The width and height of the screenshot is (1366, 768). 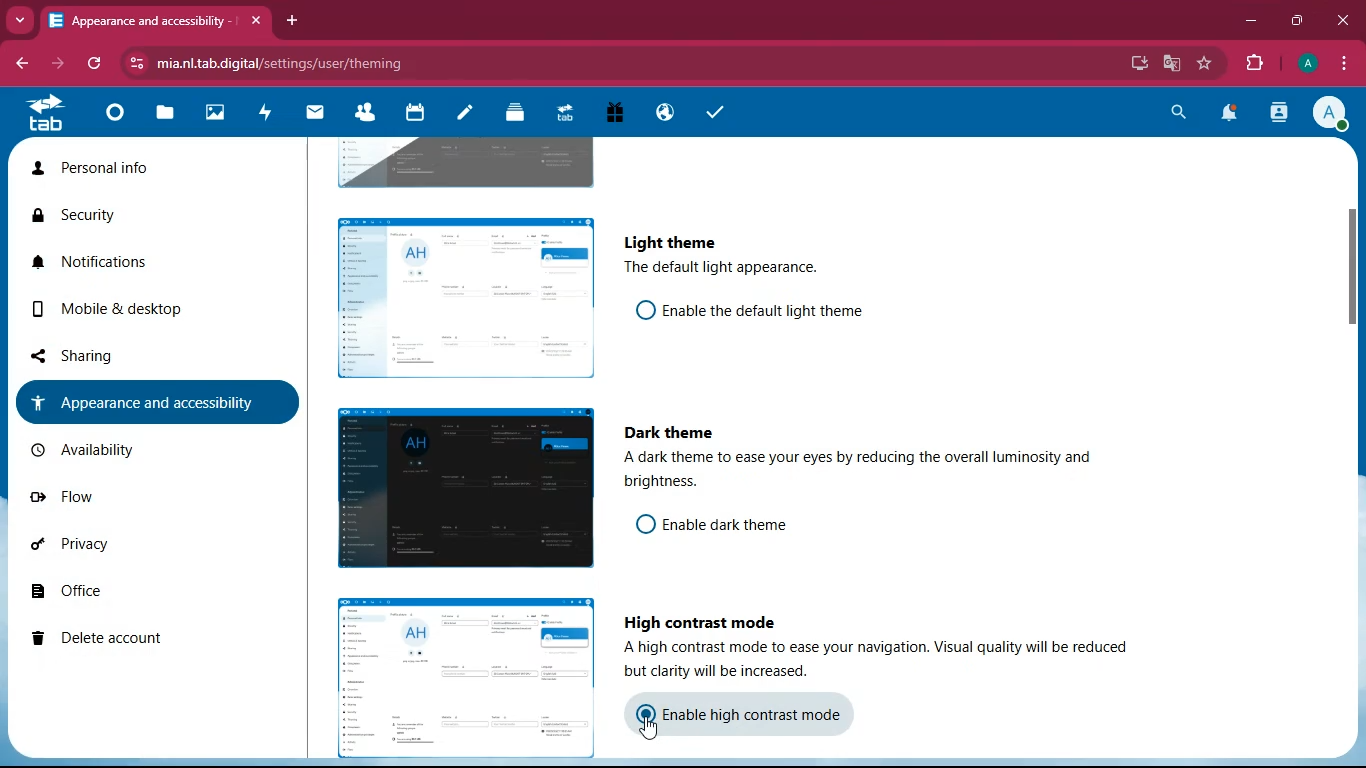 What do you see at coordinates (22, 21) in the screenshot?
I see `more` at bounding box center [22, 21].